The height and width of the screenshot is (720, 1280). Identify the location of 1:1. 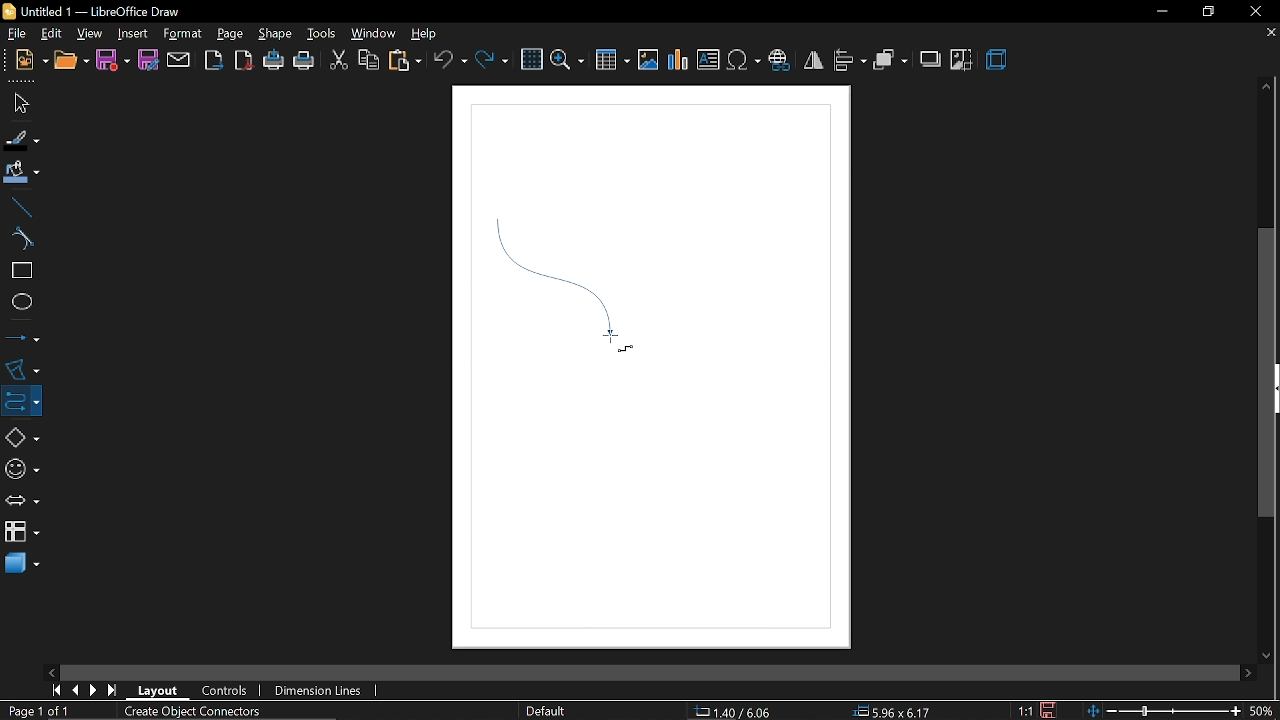
(1027, 711).